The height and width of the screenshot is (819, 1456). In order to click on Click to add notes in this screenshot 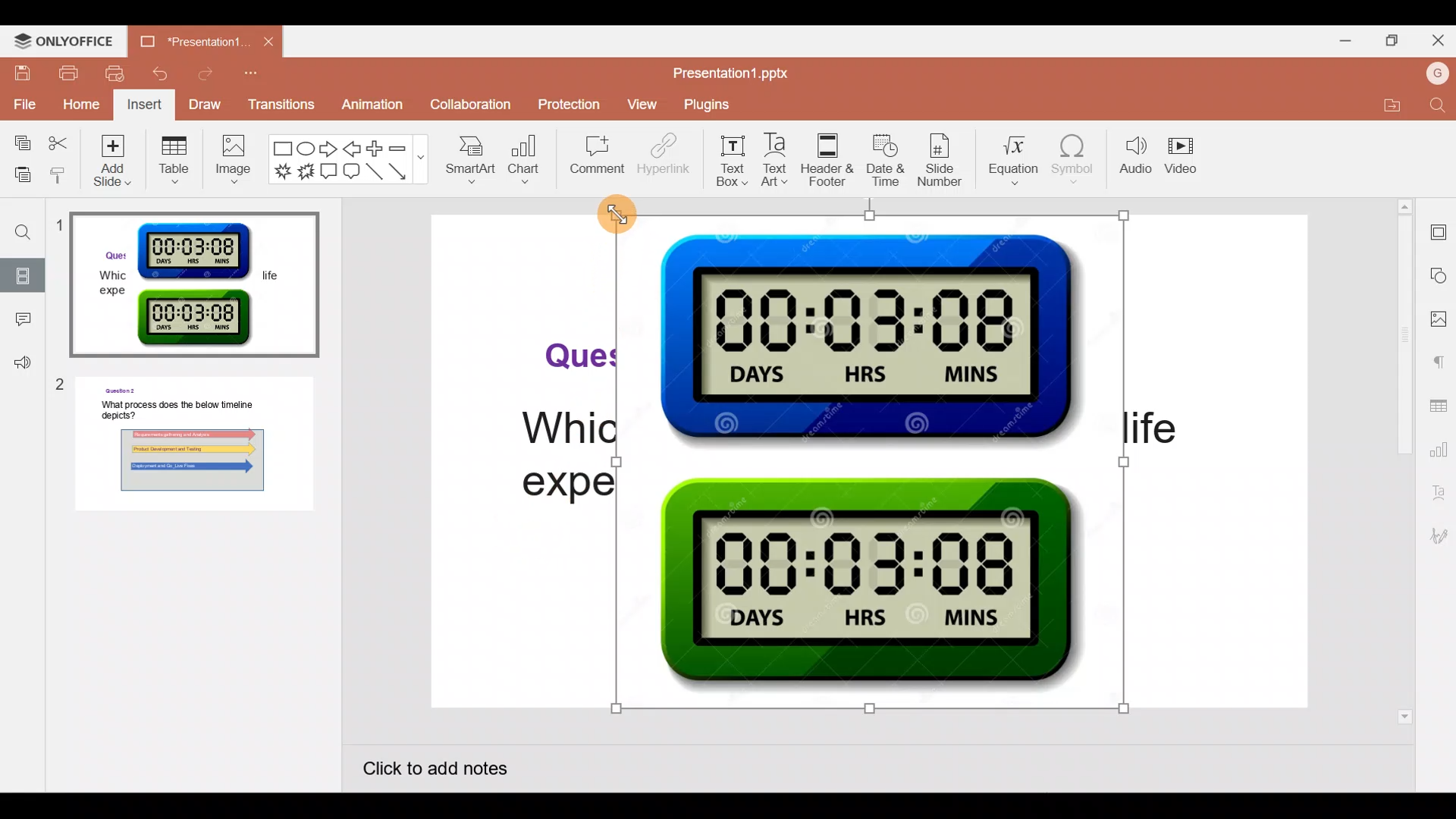, I will do `click(450, 770)`.